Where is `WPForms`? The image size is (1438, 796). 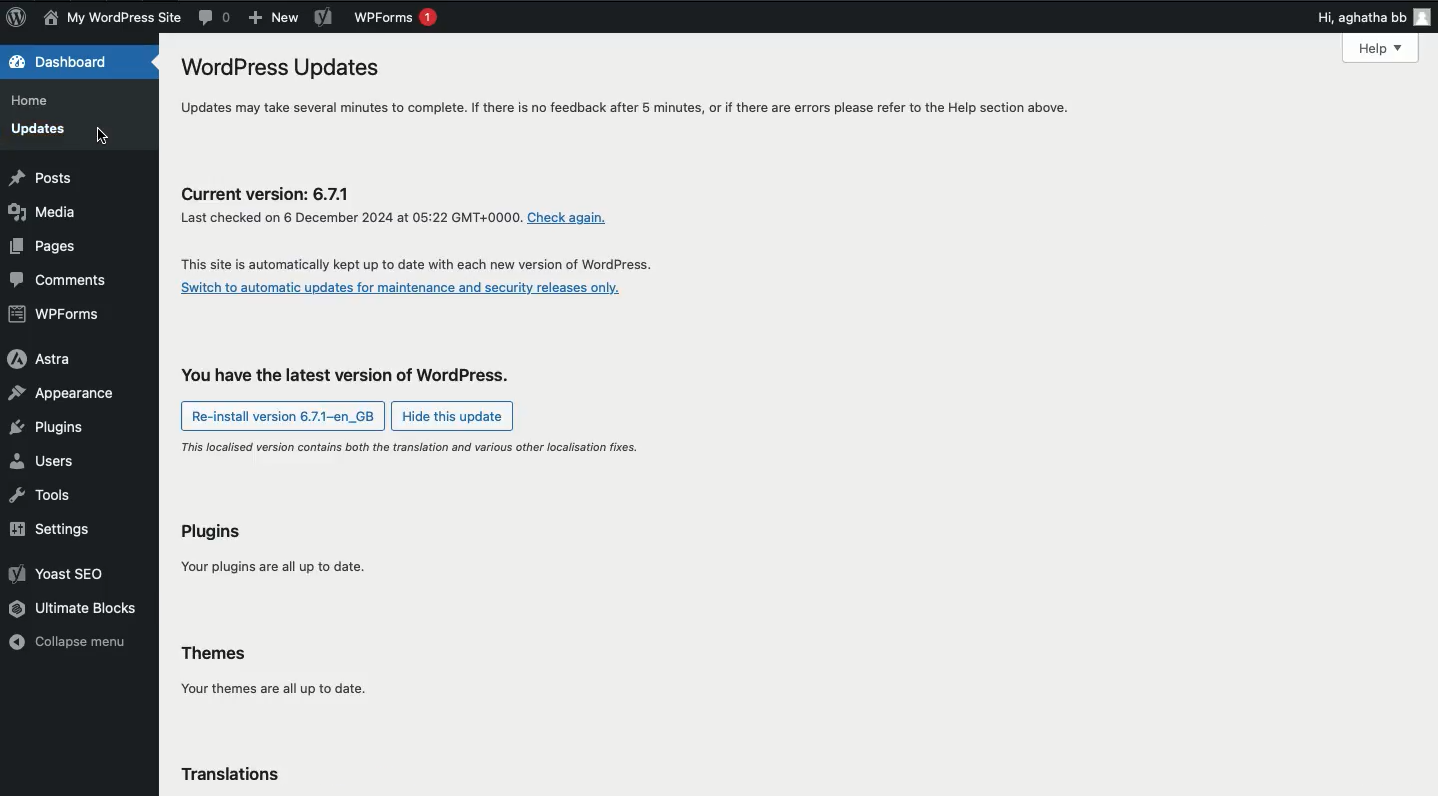 WPForms is located at coordinates (397, 20).